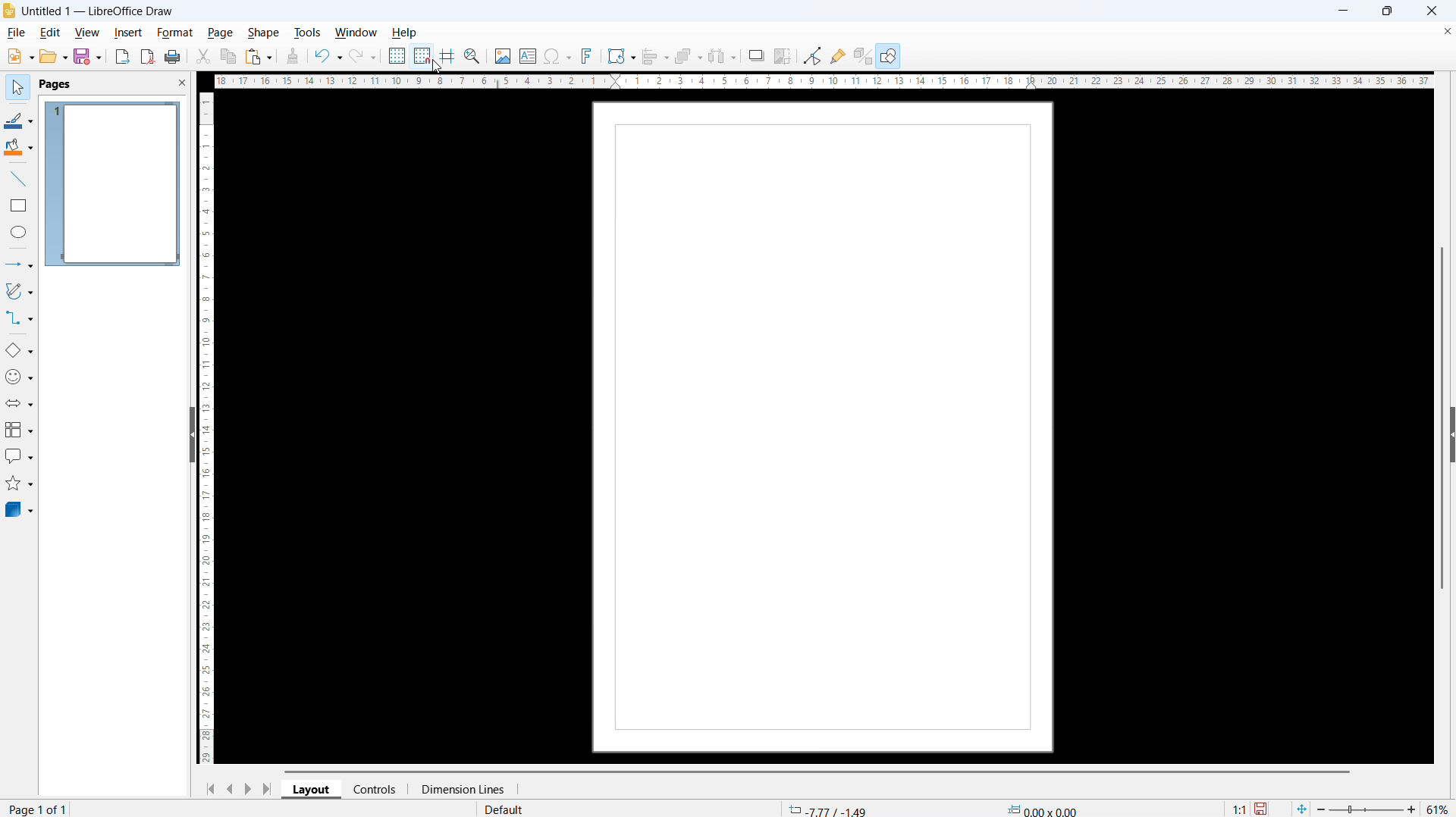 This screenshot has width=1456, height=817. What do you see at coordinates (193, 434) in the screenshot?
I see `Hide pane ` at bounding box center [193, 434].